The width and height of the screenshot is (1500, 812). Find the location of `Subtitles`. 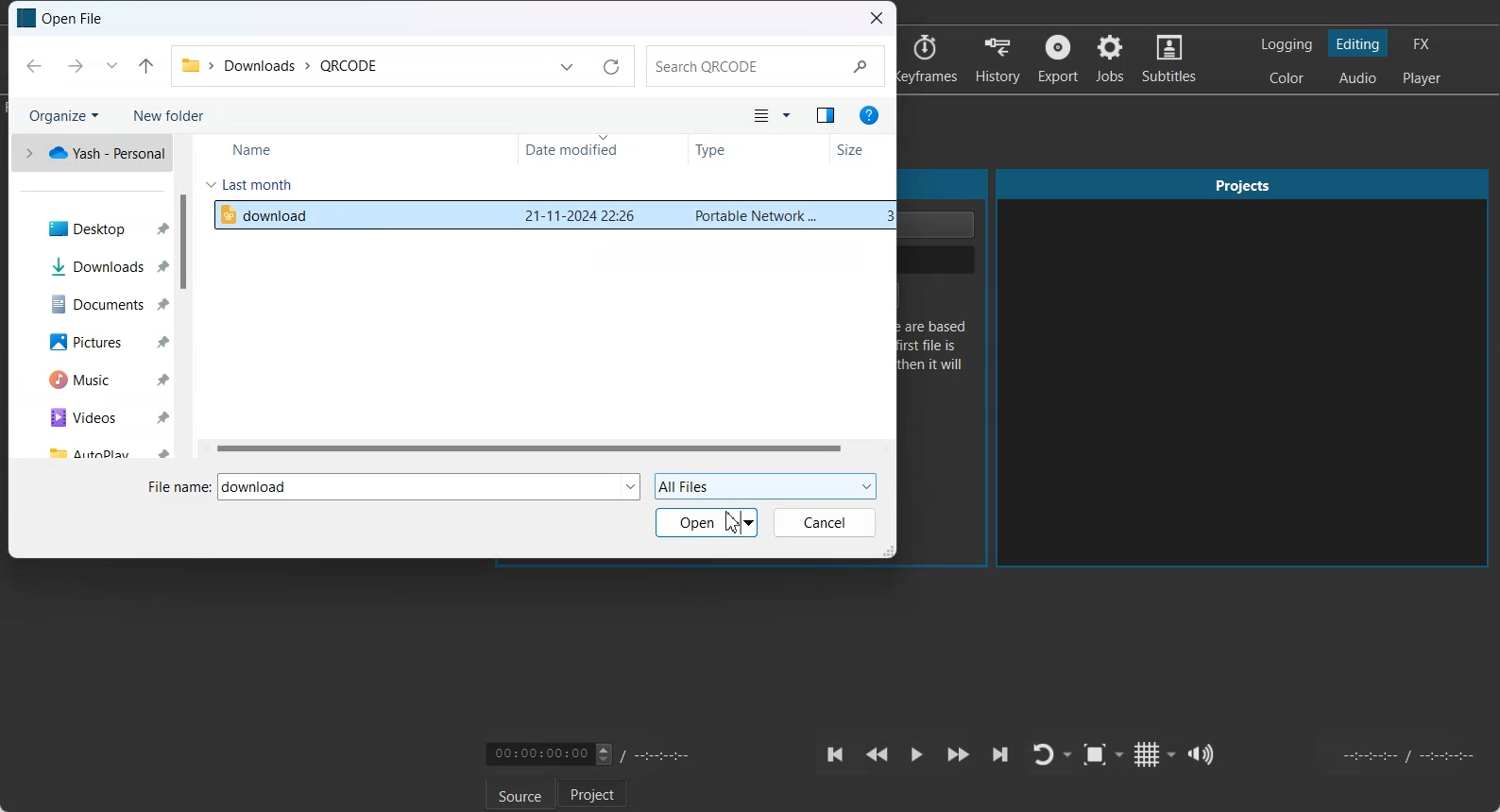

Subtitles is located at coordinates (1170, 59).